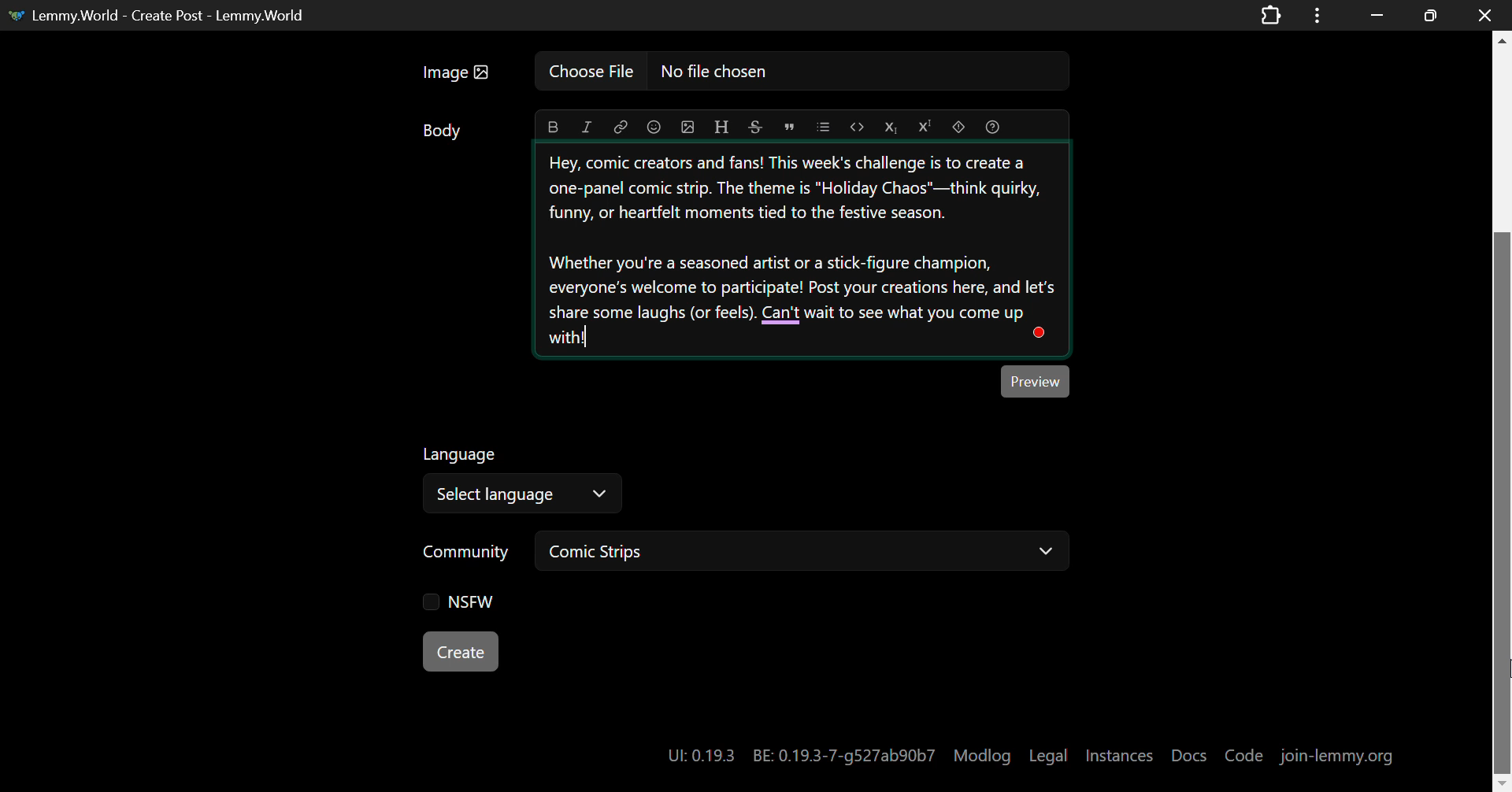  Describe the element at coordinates (1049, 757) in the screenshot. I see `Legal` at that location.